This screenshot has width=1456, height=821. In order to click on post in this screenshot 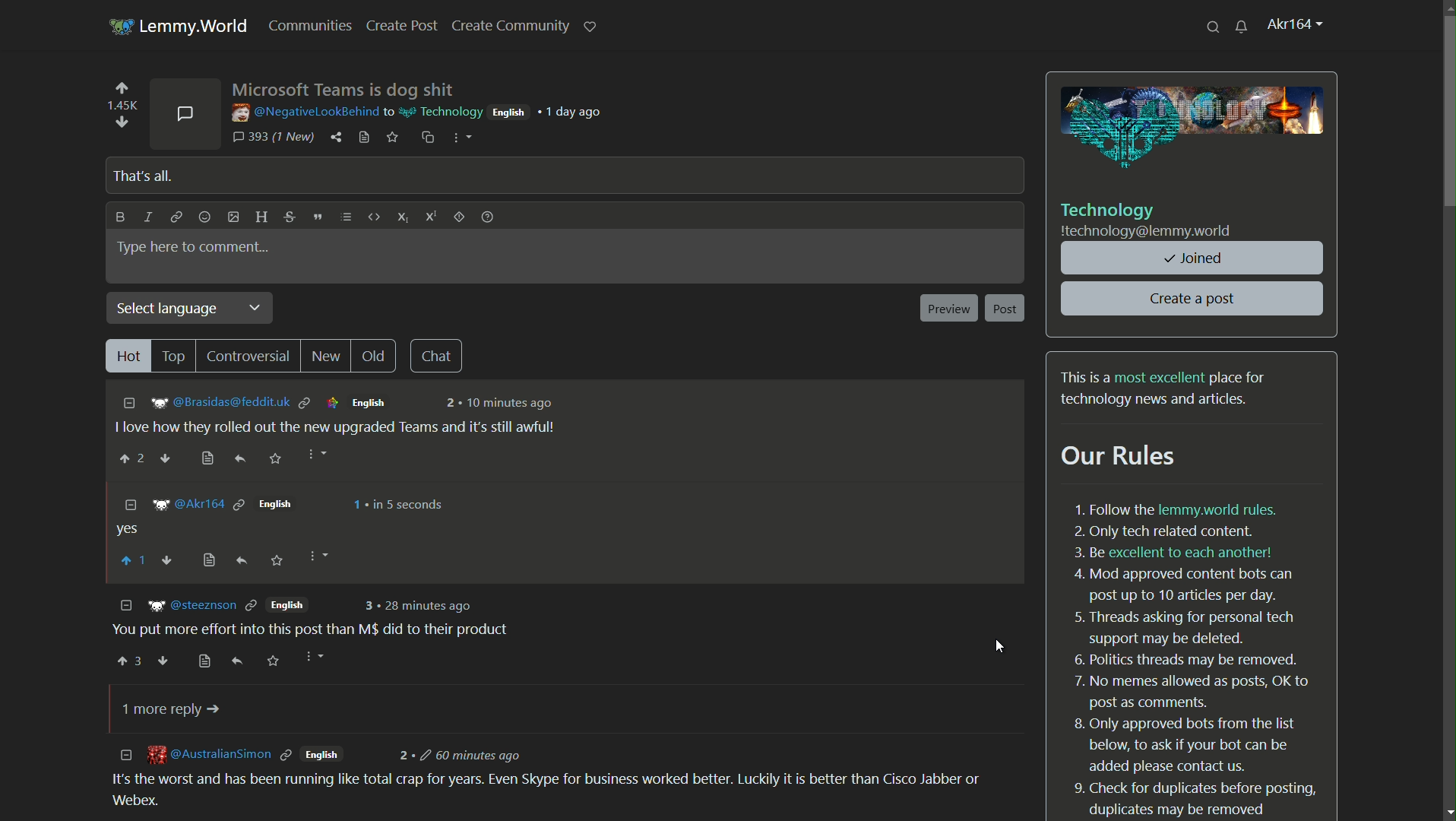, I will do `click(1006, 309)`.